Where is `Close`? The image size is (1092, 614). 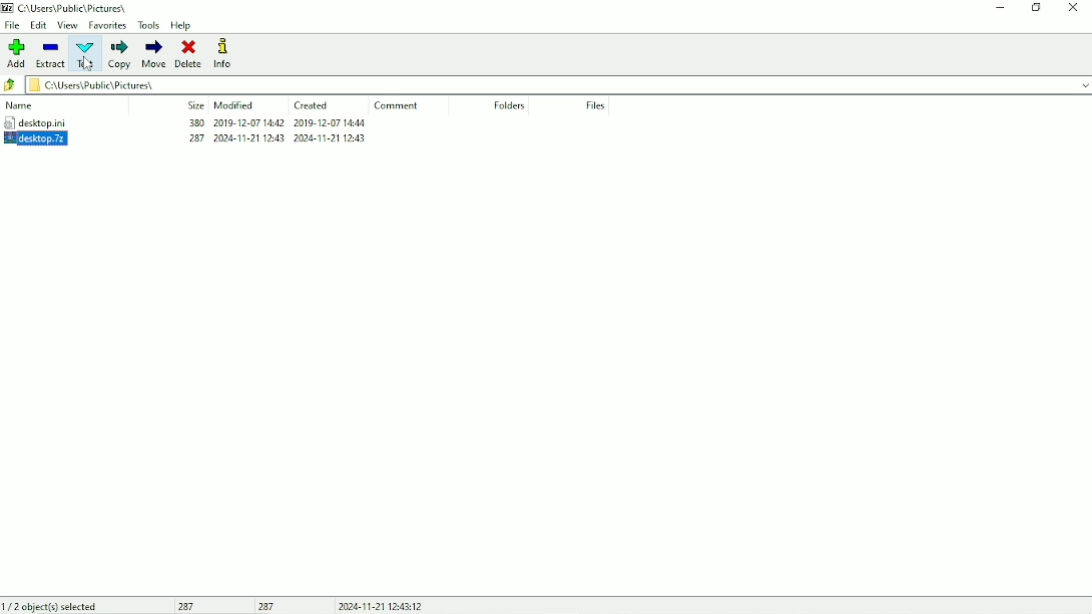 Close is located at coordinates (1075, 8).